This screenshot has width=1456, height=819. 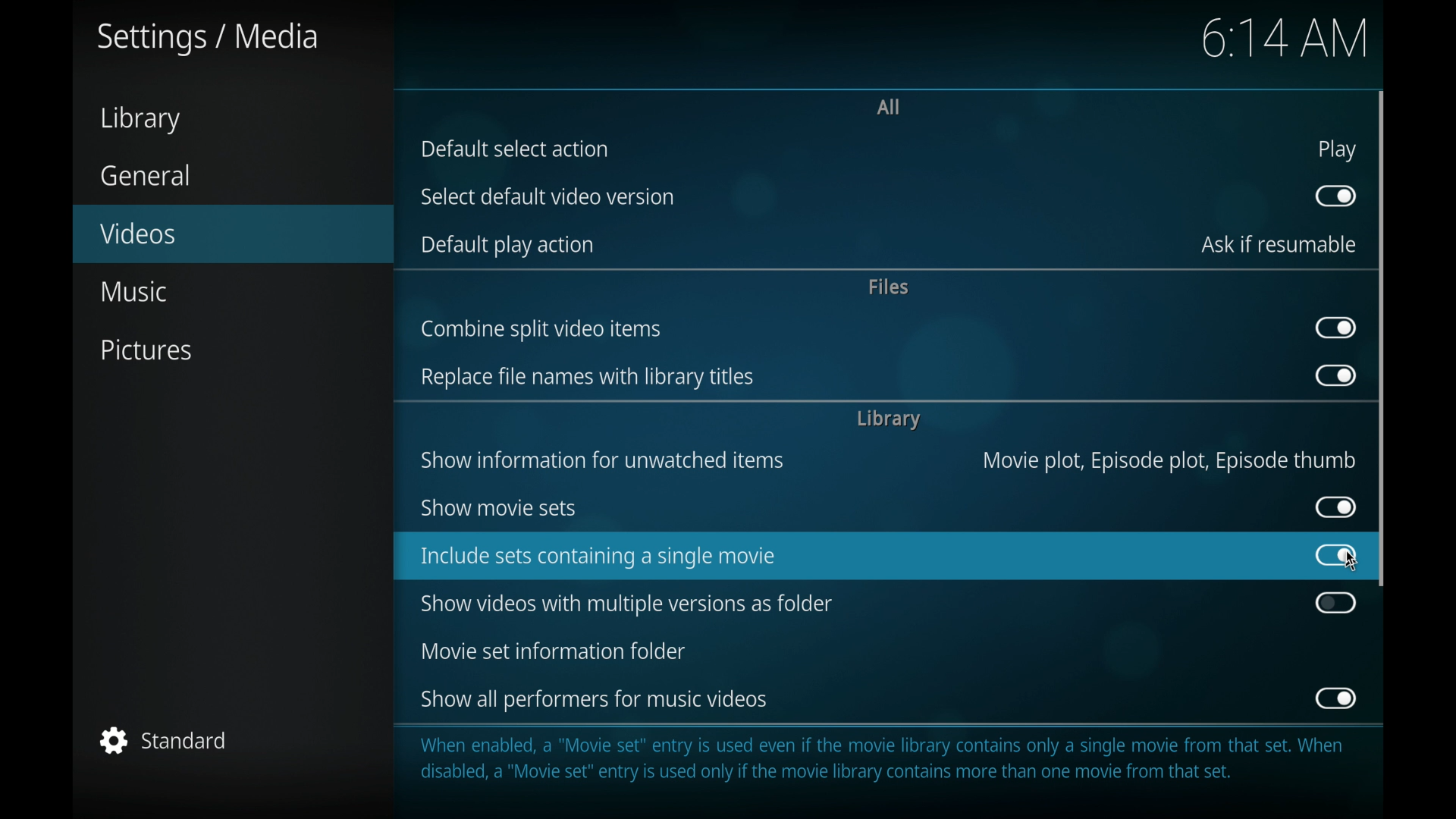 What do you see at coordinates (1284, 39) in the screenshot?
I see `time` at bounding box center [1284, 39].